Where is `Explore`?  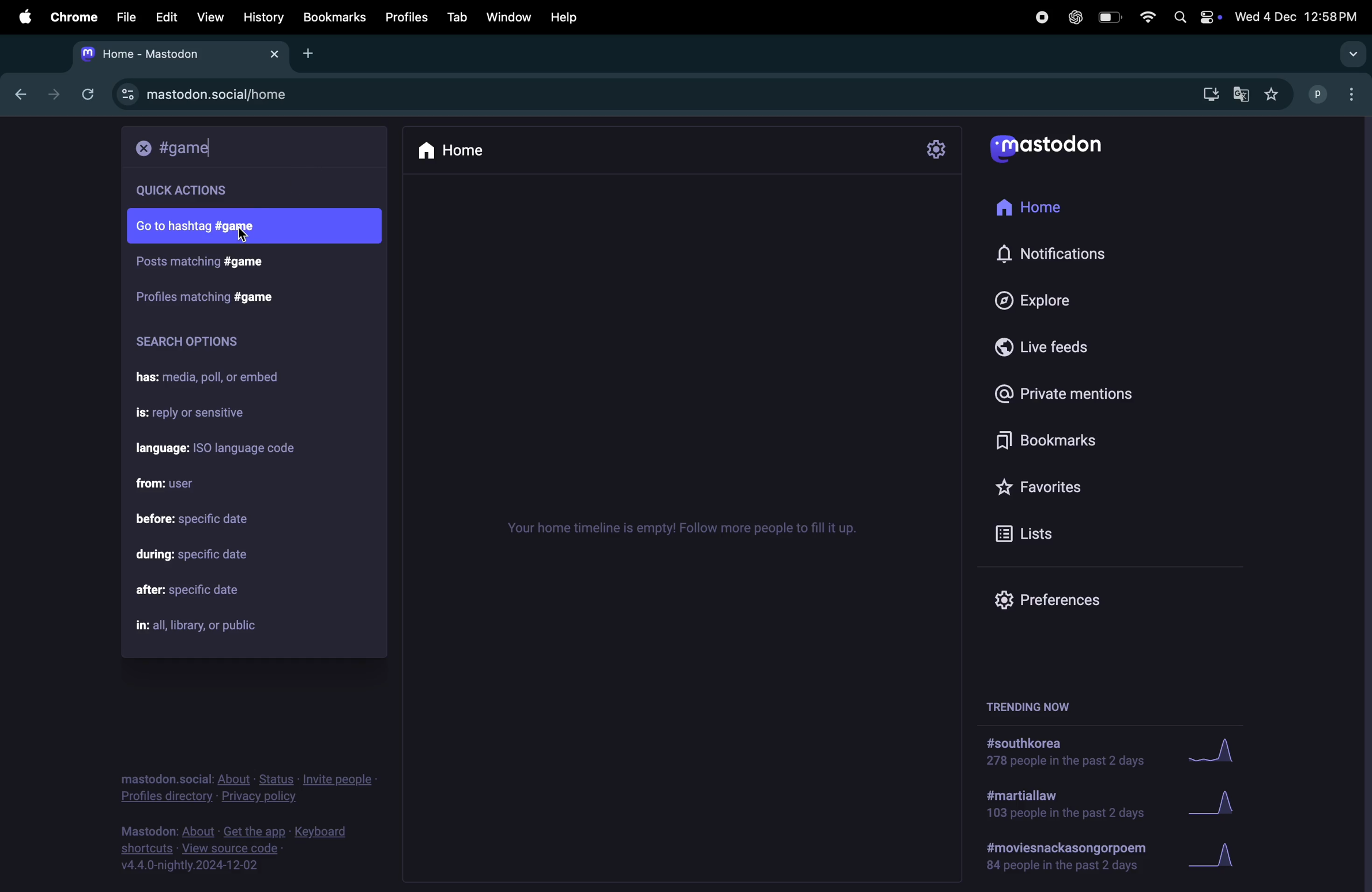
Explore is located at coordinates (1051, 301).